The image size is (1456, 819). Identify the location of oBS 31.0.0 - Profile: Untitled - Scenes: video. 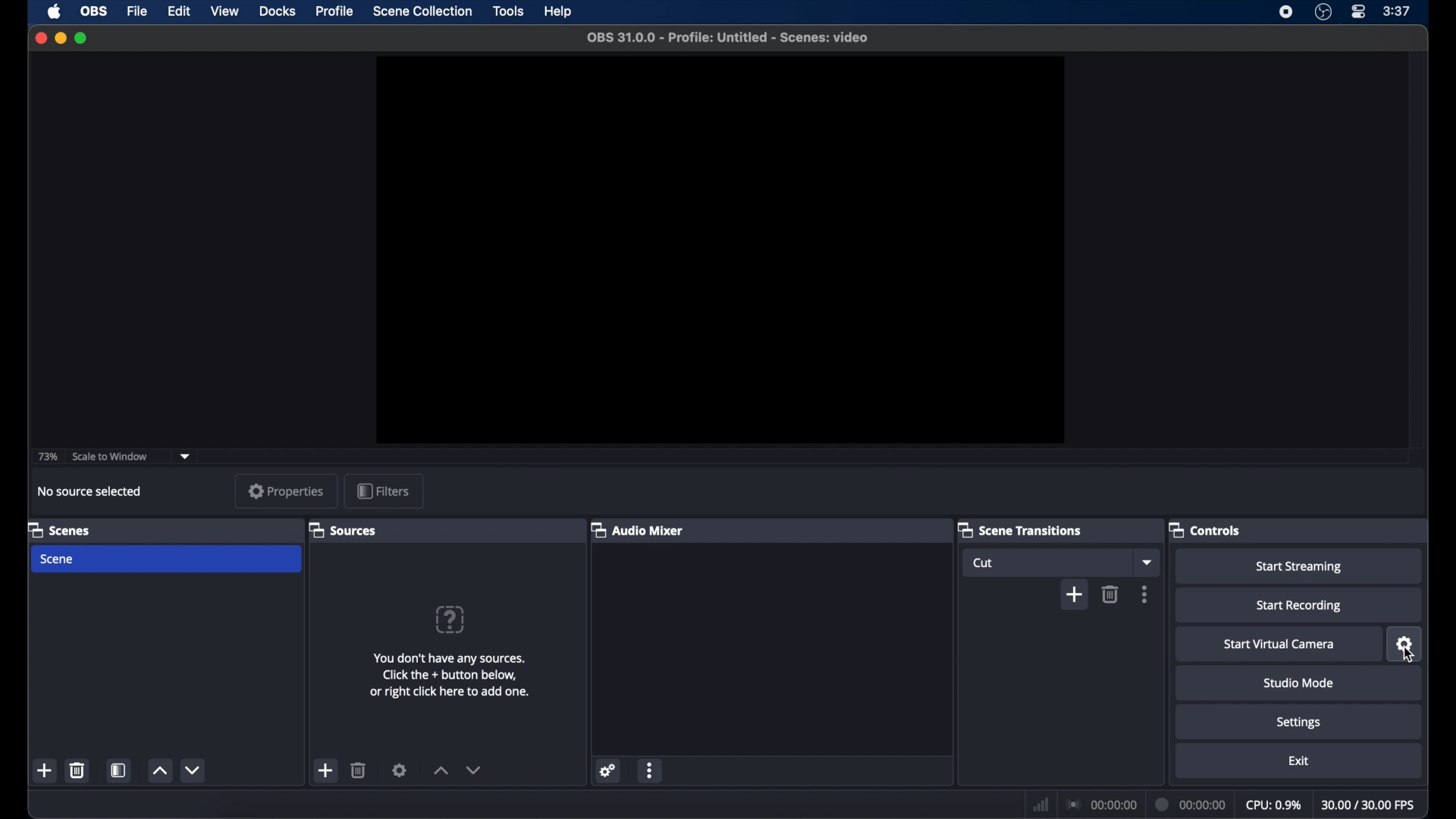
(730, 42).